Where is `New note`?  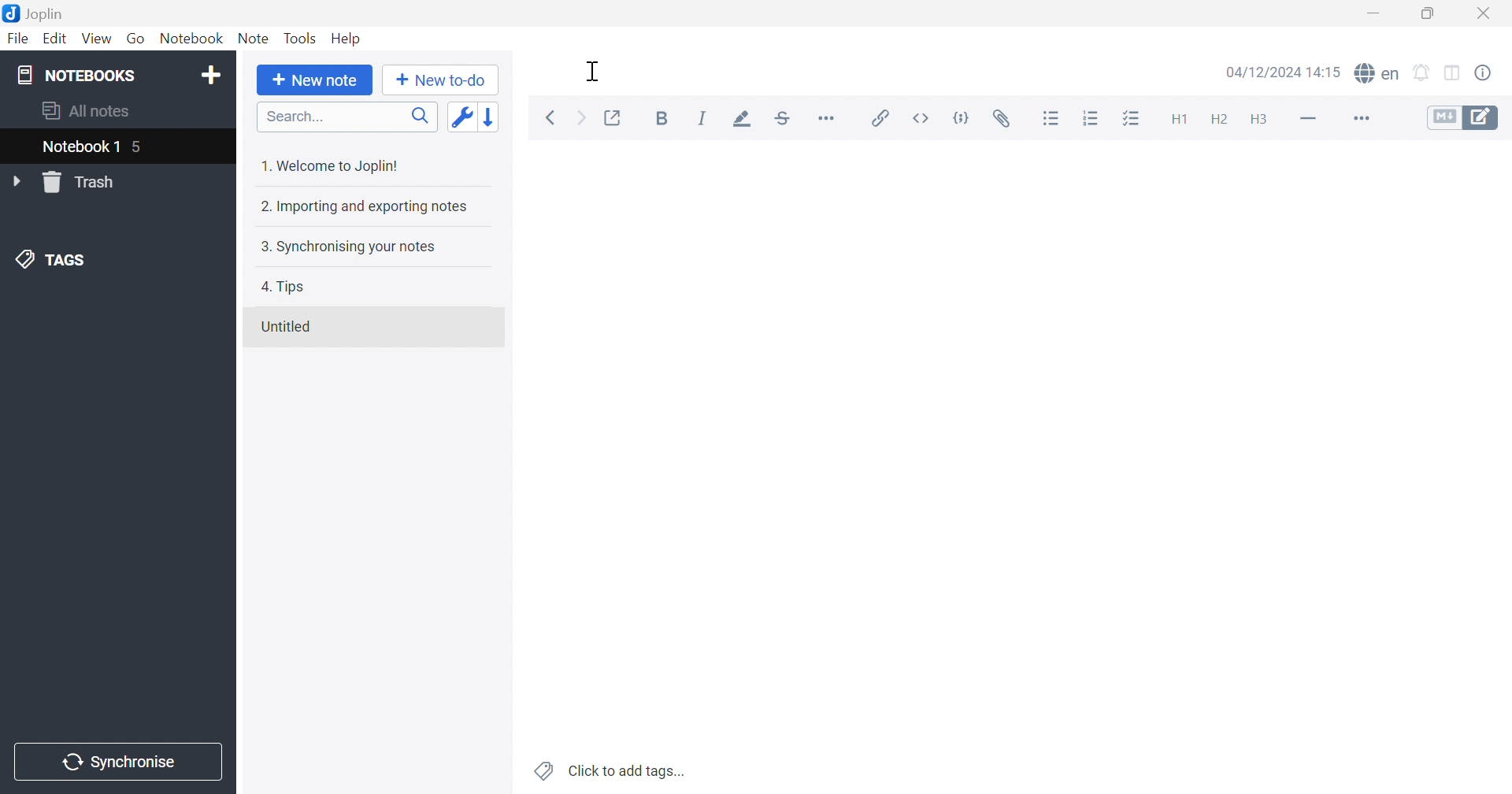
New note is located at coordinates (315, 80).